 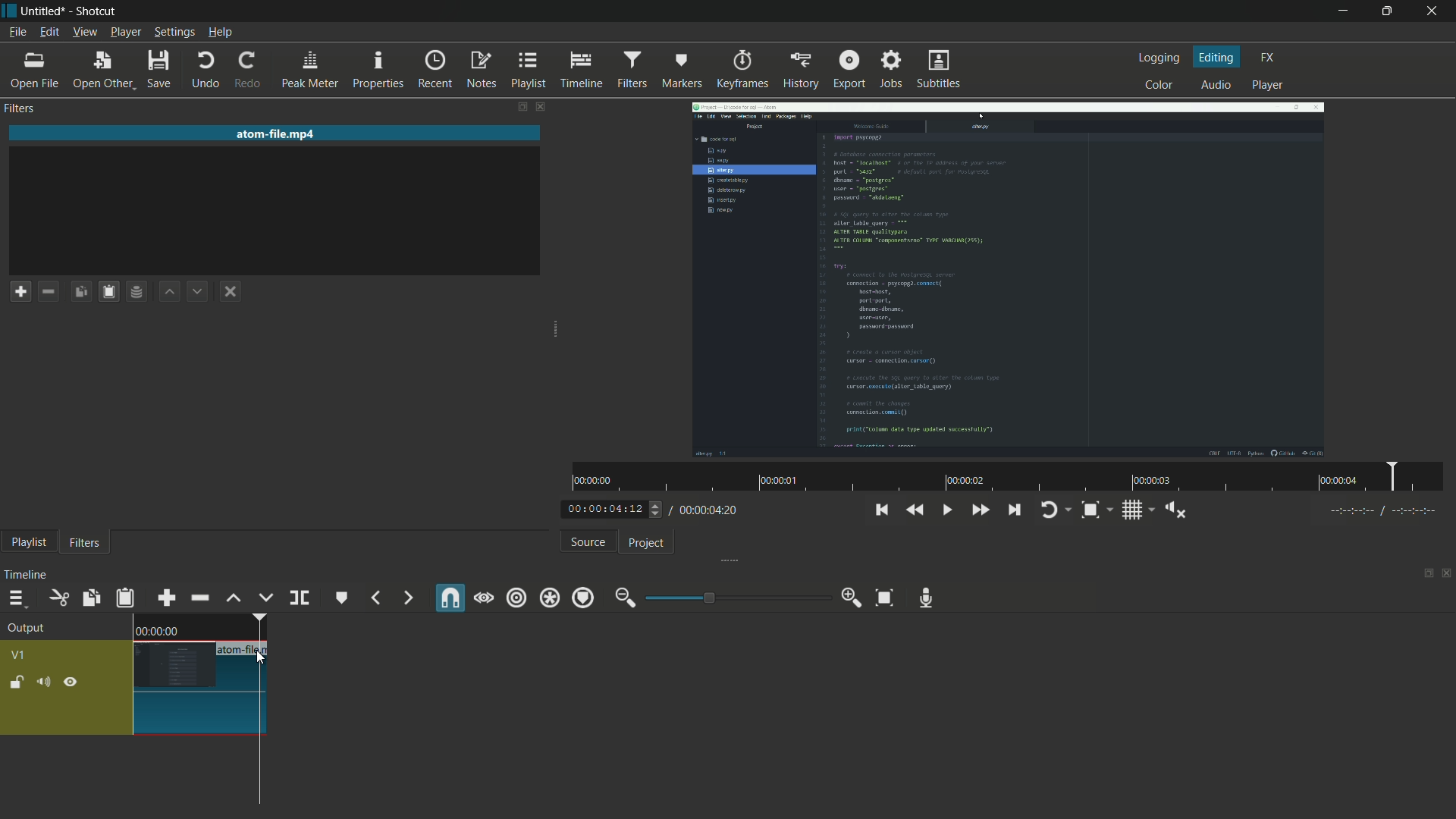 What do you see at coordinates (740, 69) in the screenshot?
I see `keyframes` at bounding box center [740, 69].